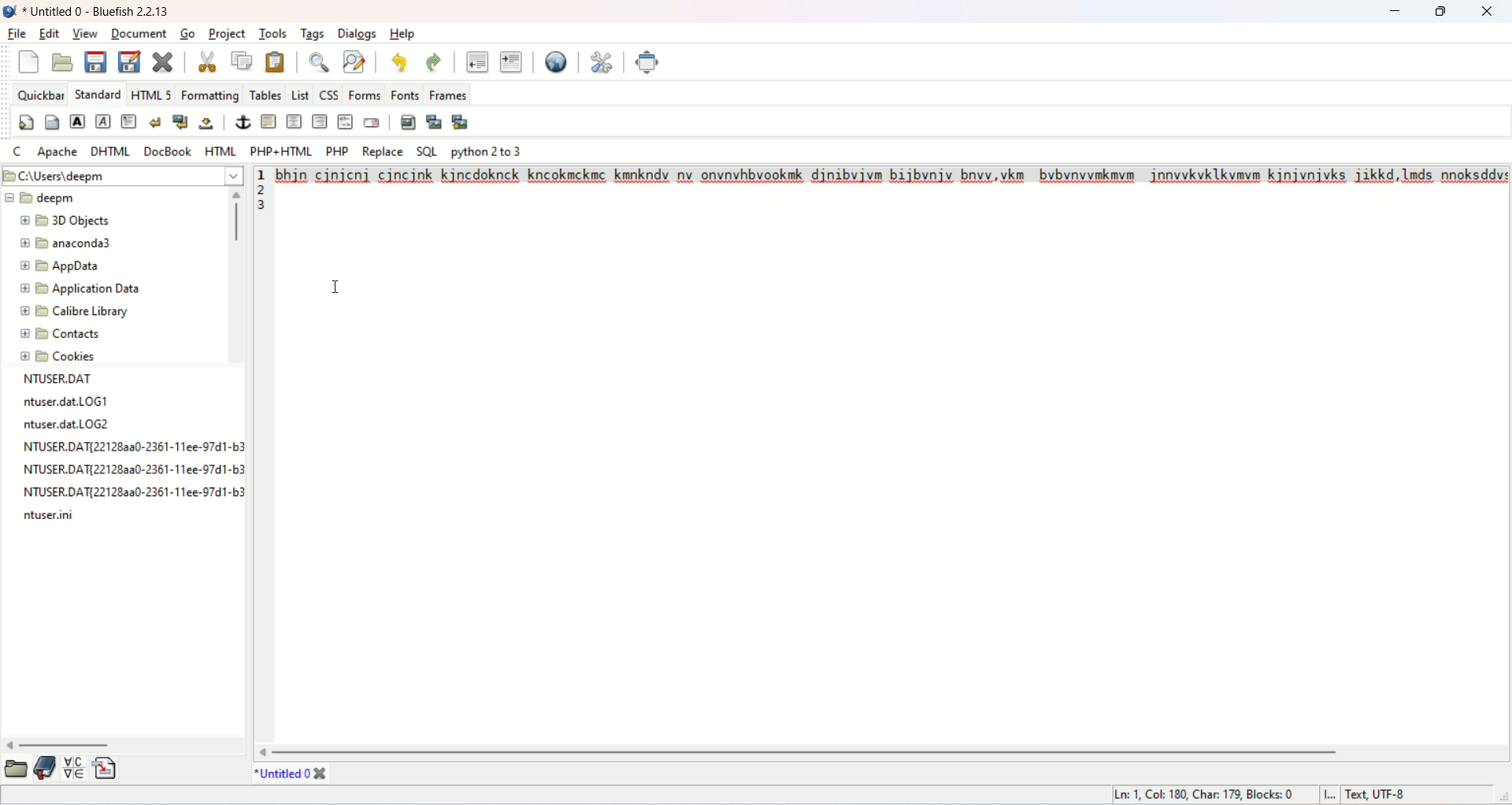 The height and width of the screenshot is (805, 1512). Describe the element at coordinates (300, 95) in the screenshot. I see `list` at that location.